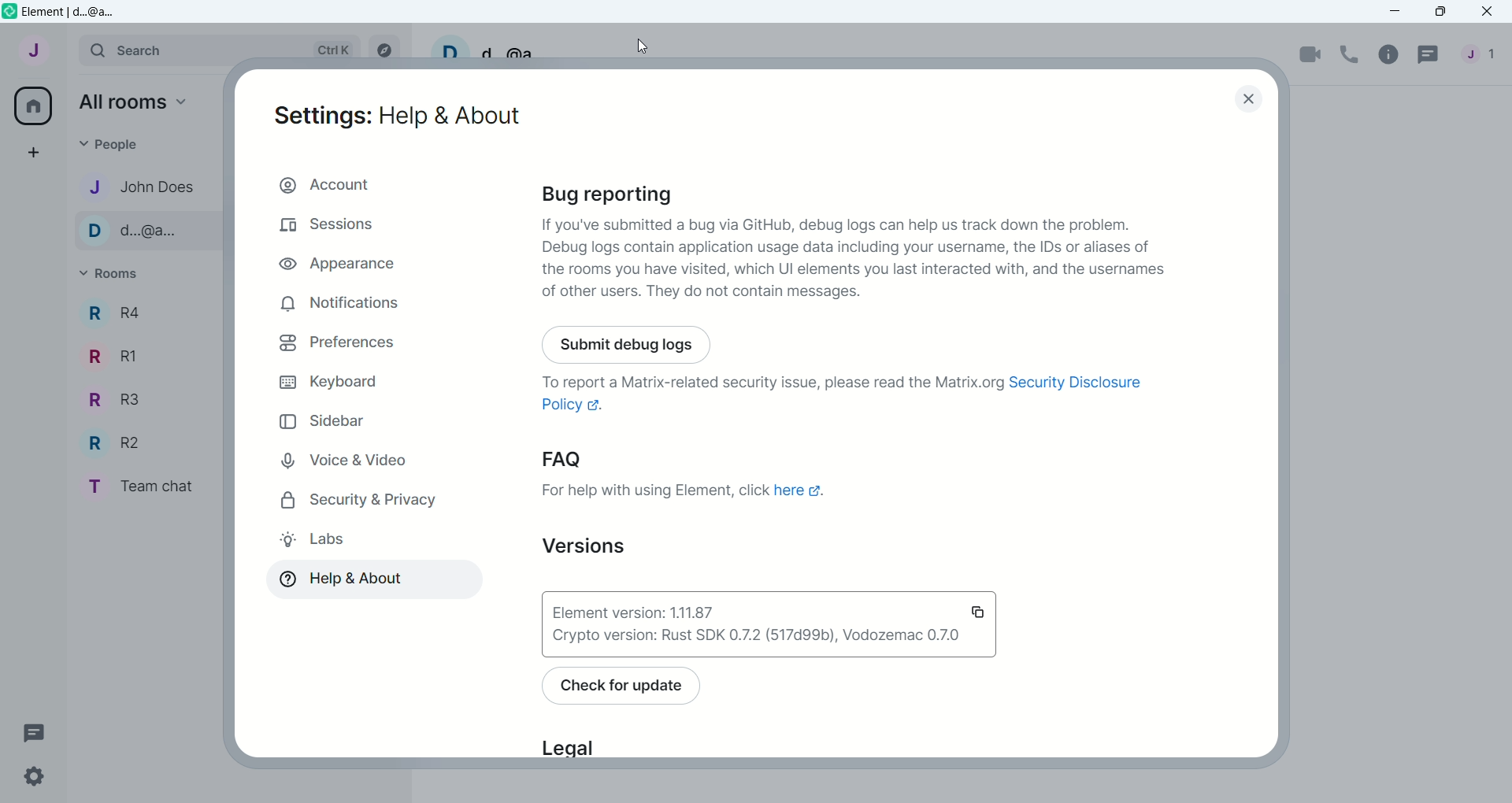 The height and width of the screenshot is (803, 1512). What do you see at coordinates (35, 731) in the screenshot?
I see `Theads` at bounding box center [35, 731].